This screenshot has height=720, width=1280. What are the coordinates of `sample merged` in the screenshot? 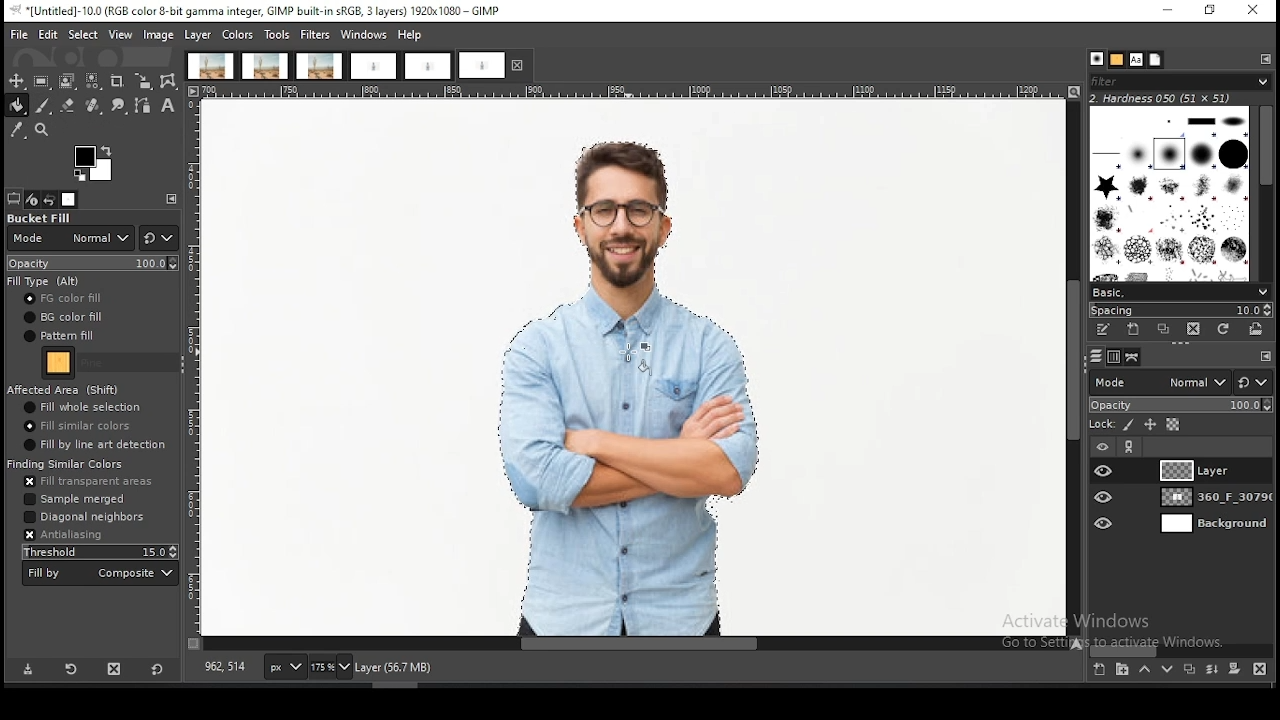 It's located at (76, 498).